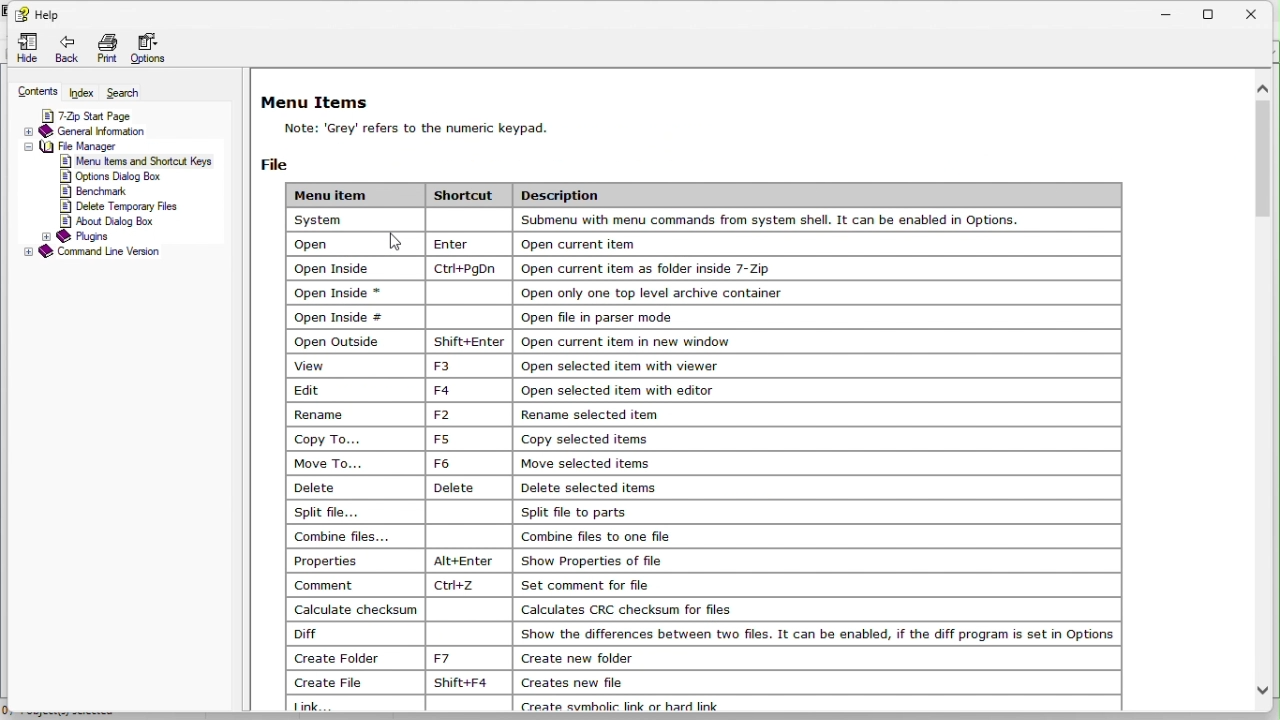 The height and width of the screenshot is (720, 1280). I want to click on | Diff | | Show the differences between two files. It can be enabled, if the diff program is set in Options, so click(703, 634).